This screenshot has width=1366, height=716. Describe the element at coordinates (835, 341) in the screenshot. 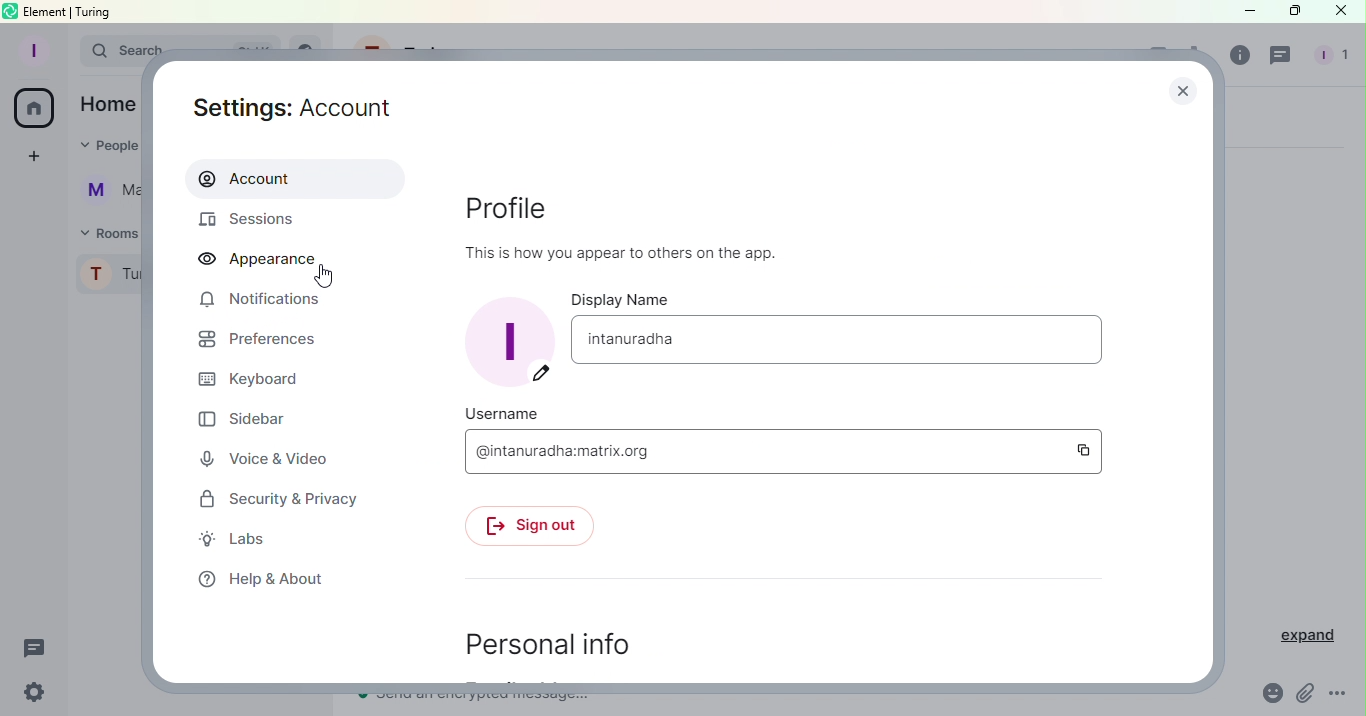

I see `Display name` at that location.